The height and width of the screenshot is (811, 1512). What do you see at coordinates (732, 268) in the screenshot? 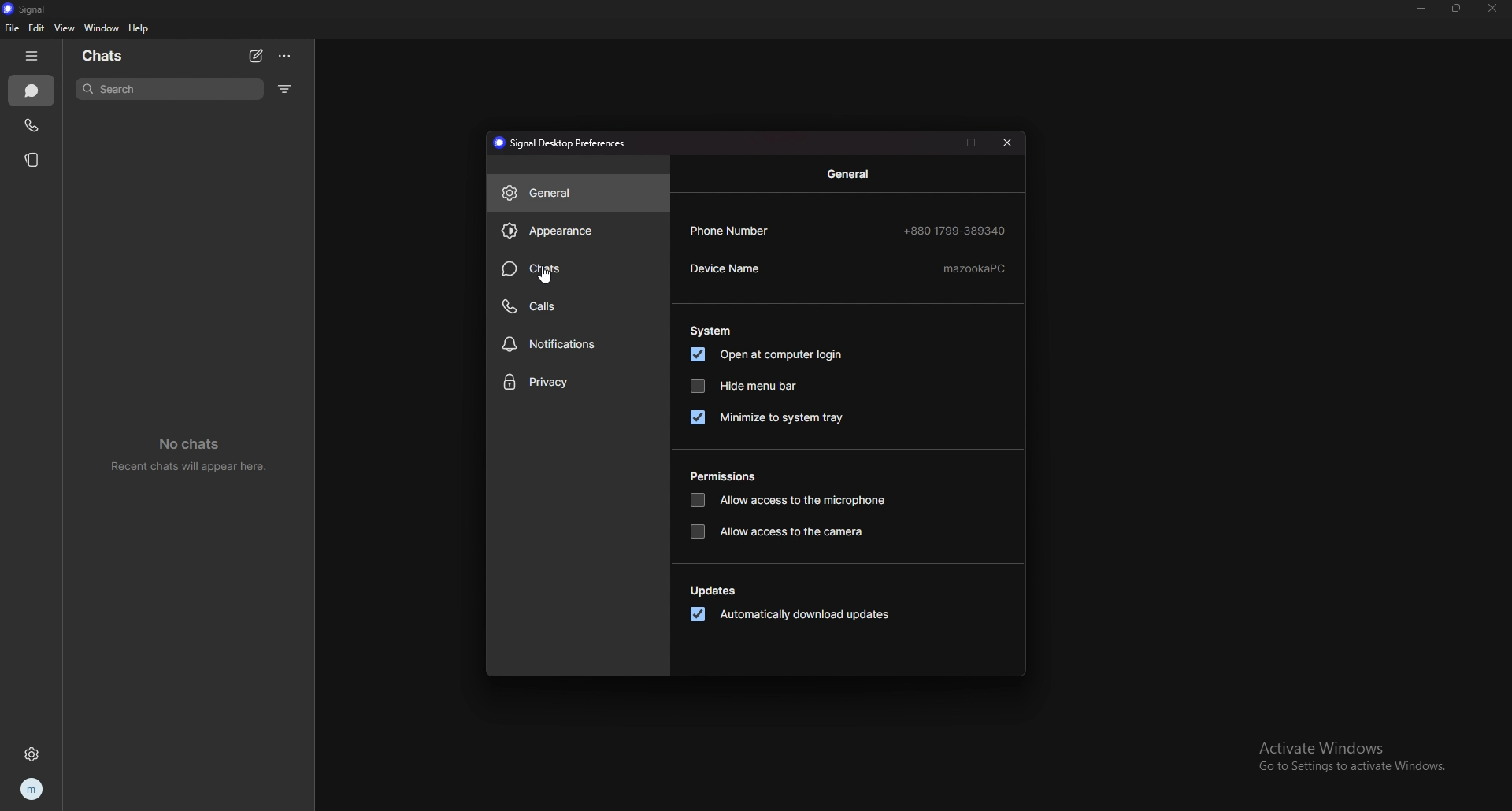
I see `device name` at bounding box center [732, 268].